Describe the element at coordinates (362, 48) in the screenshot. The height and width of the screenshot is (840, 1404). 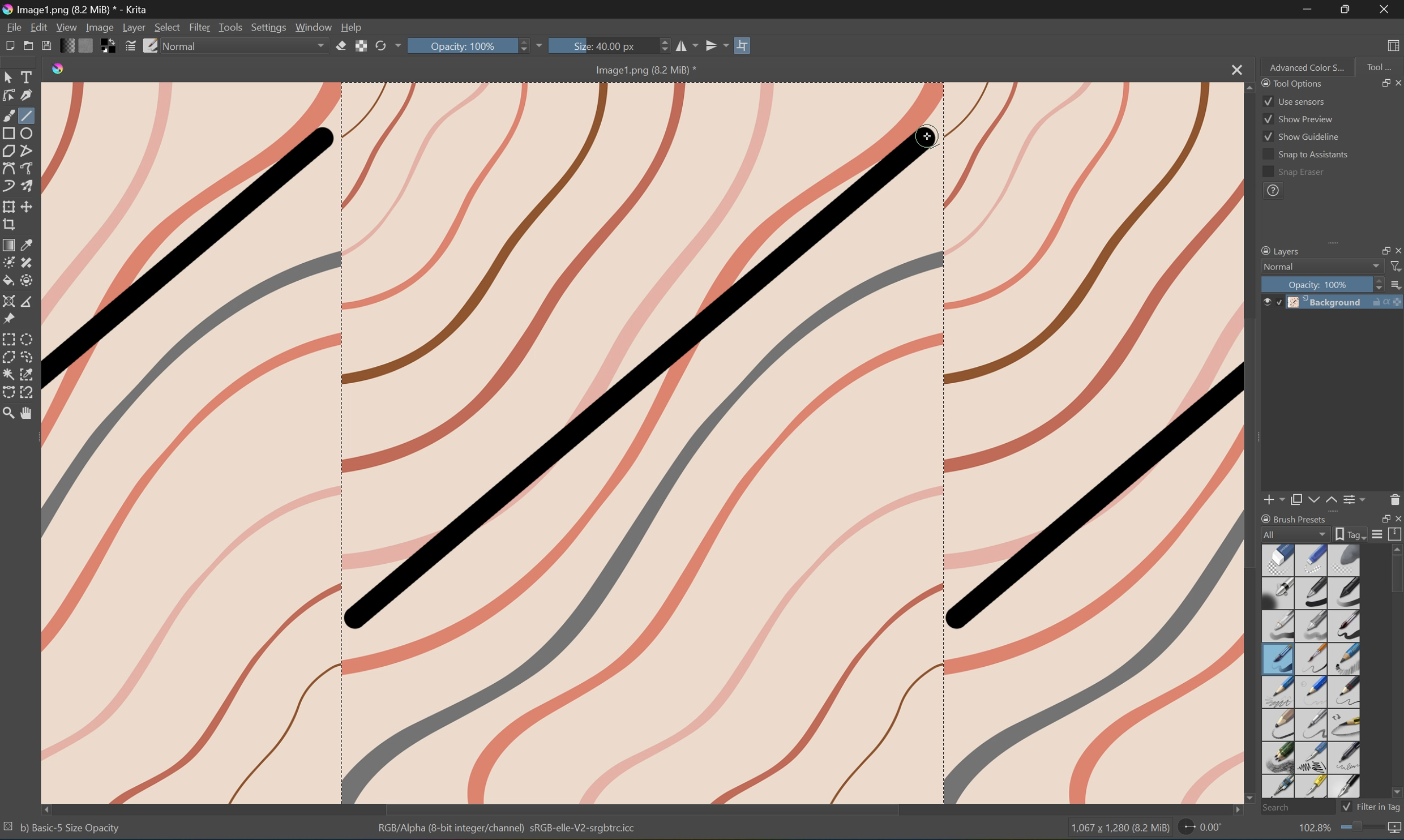
I see `Preserve alpha` at that location.